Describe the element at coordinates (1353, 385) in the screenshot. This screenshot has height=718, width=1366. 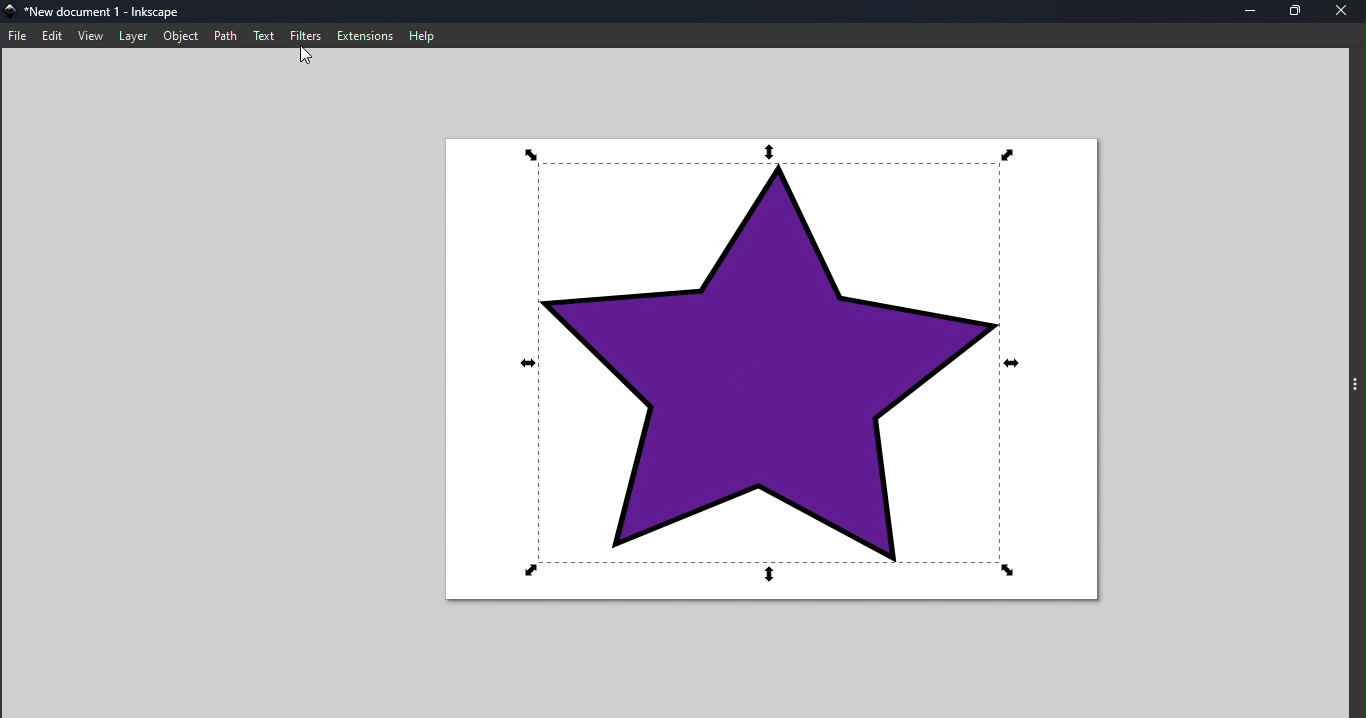
I see `Toggle command panel` at that location.